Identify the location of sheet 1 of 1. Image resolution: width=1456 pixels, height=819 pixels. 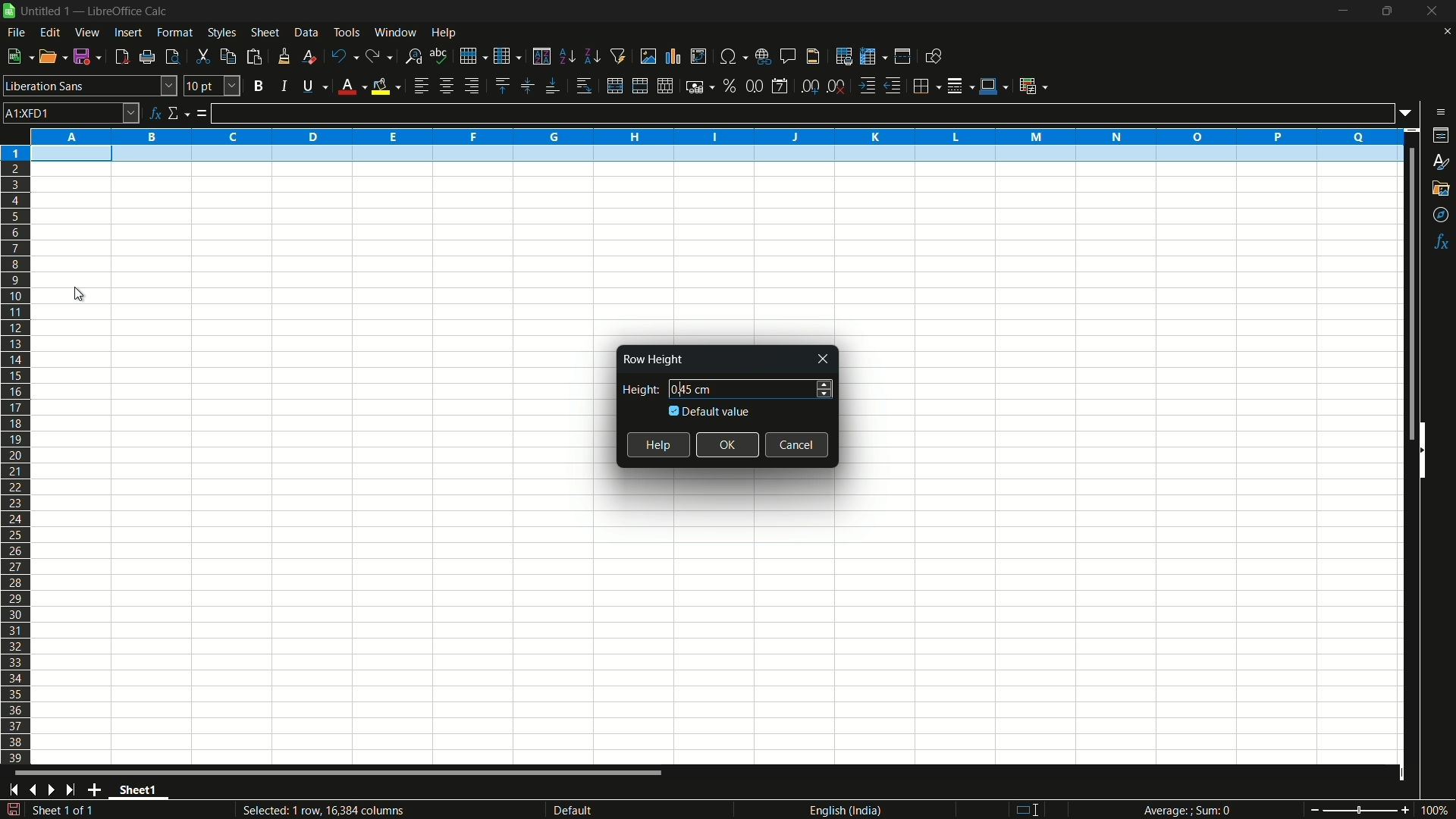
(68, 812).